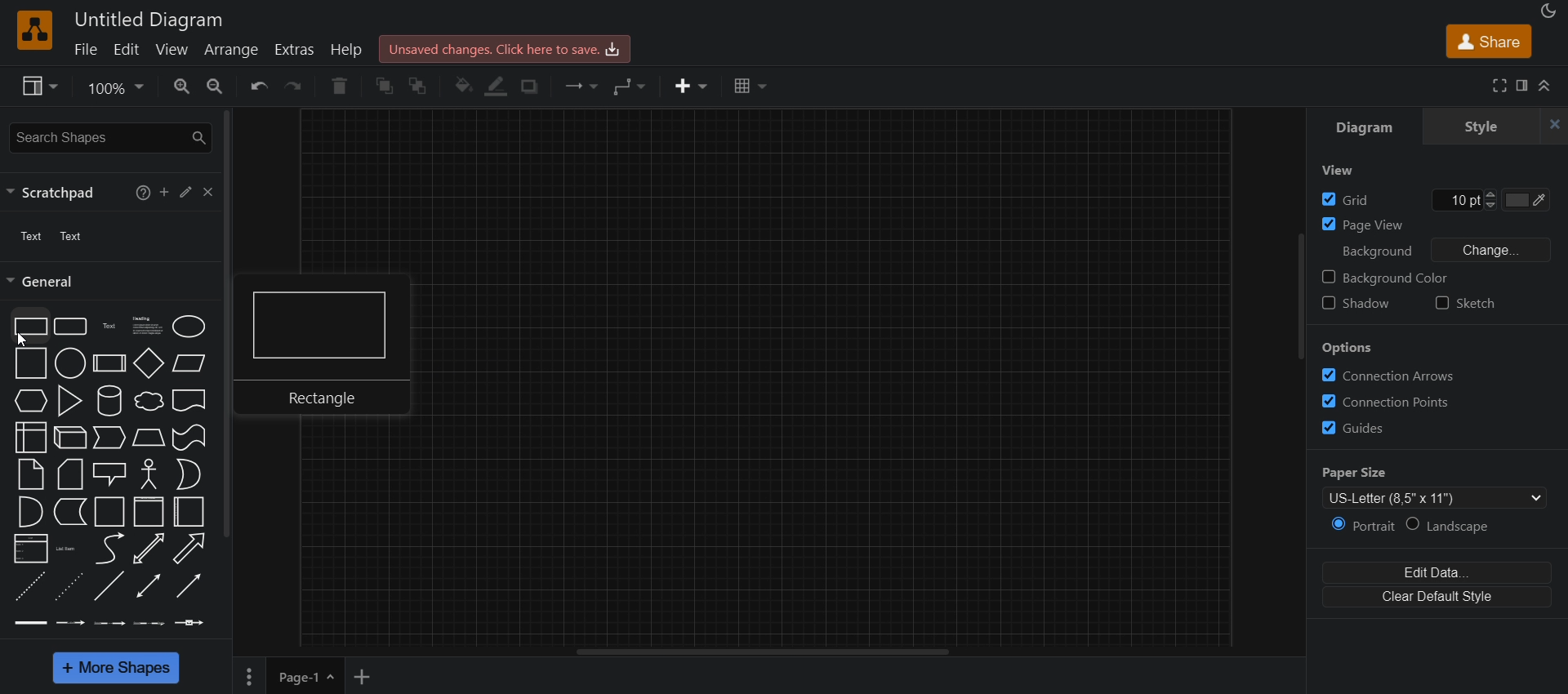  What do you see at coordinates (85, 49) in the screenshot?
I see `file` at bounding box center [85, 49].